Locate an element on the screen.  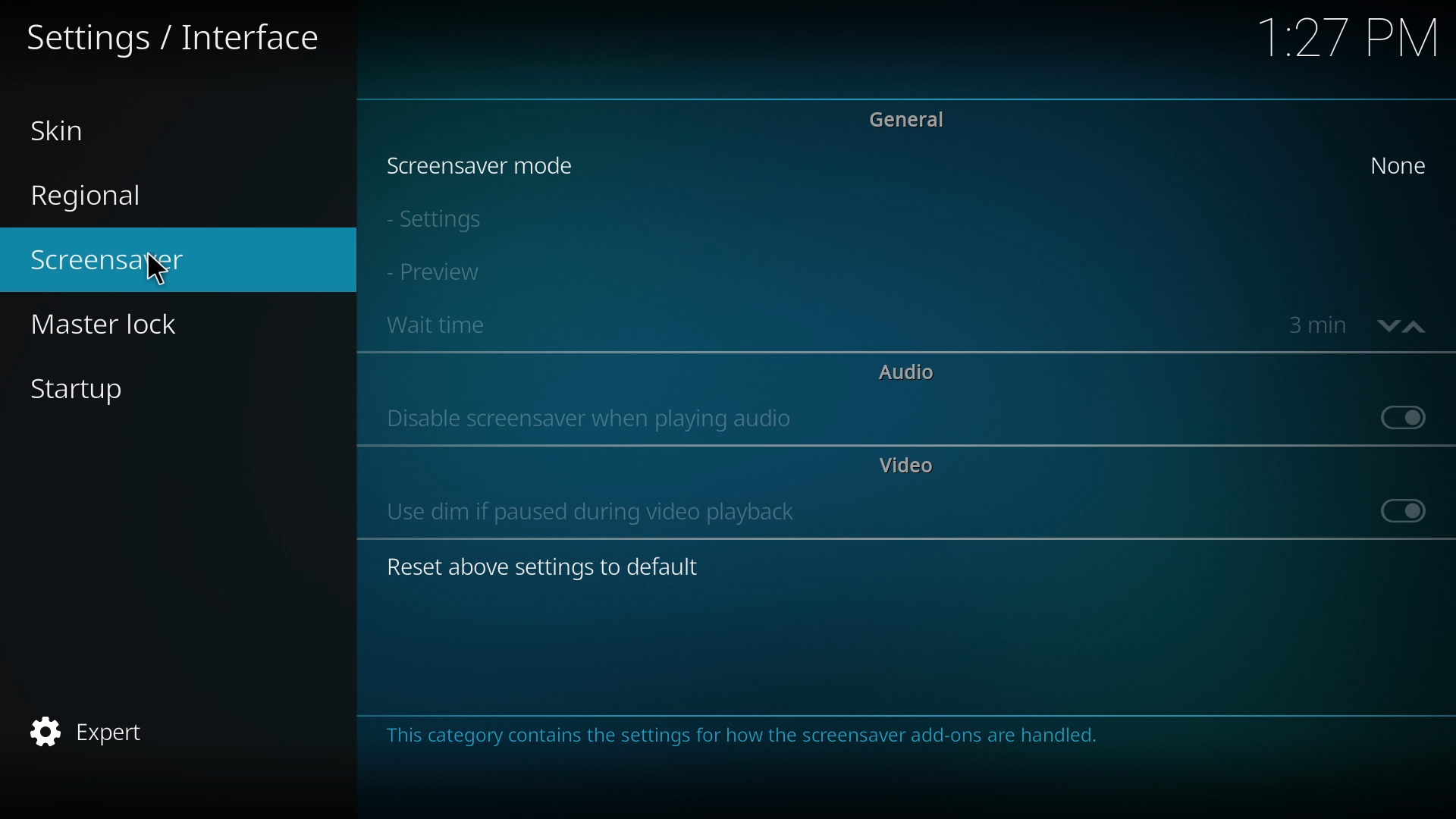
settings is located at coordinates (457, 219).